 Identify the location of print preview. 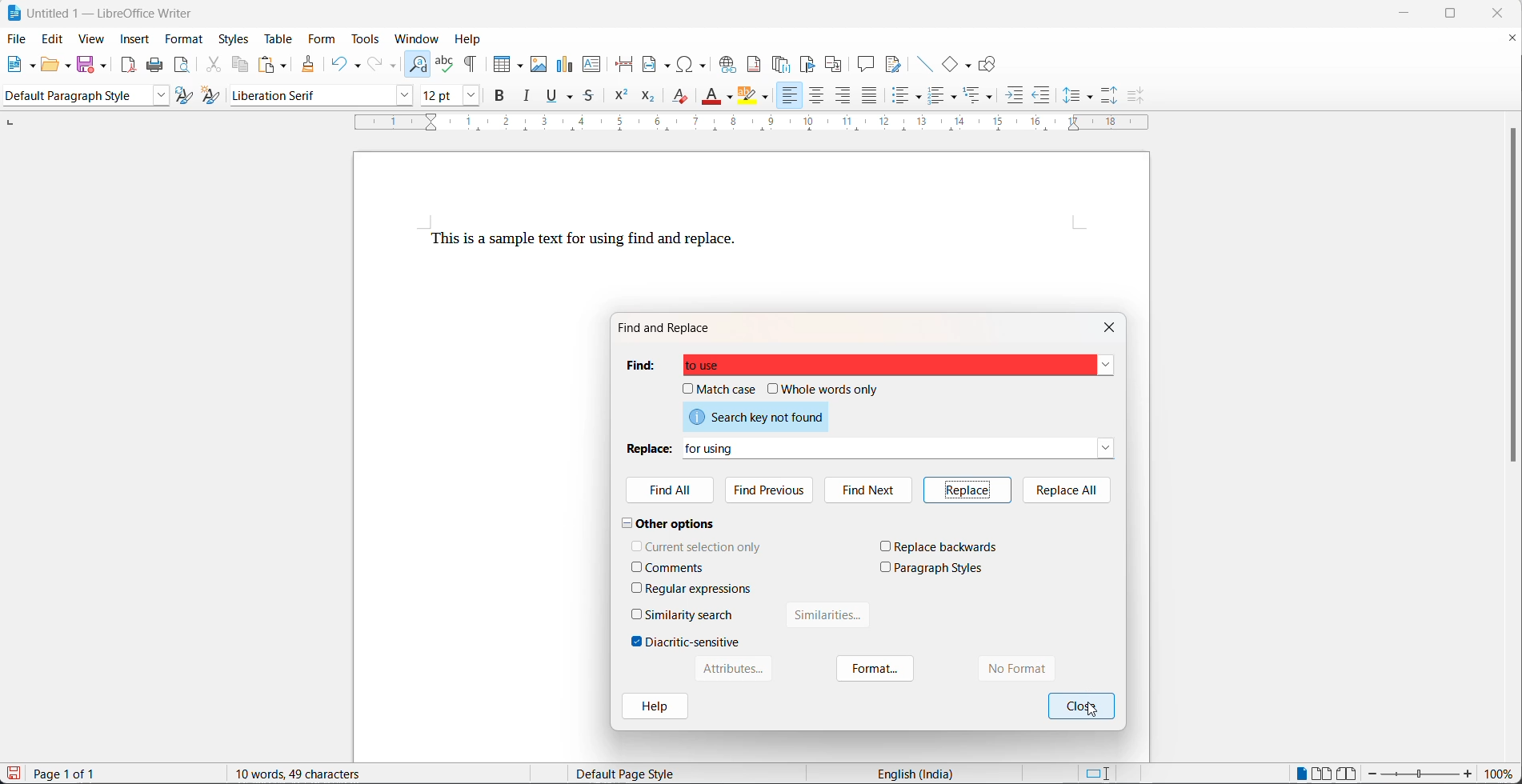
(183, 66).